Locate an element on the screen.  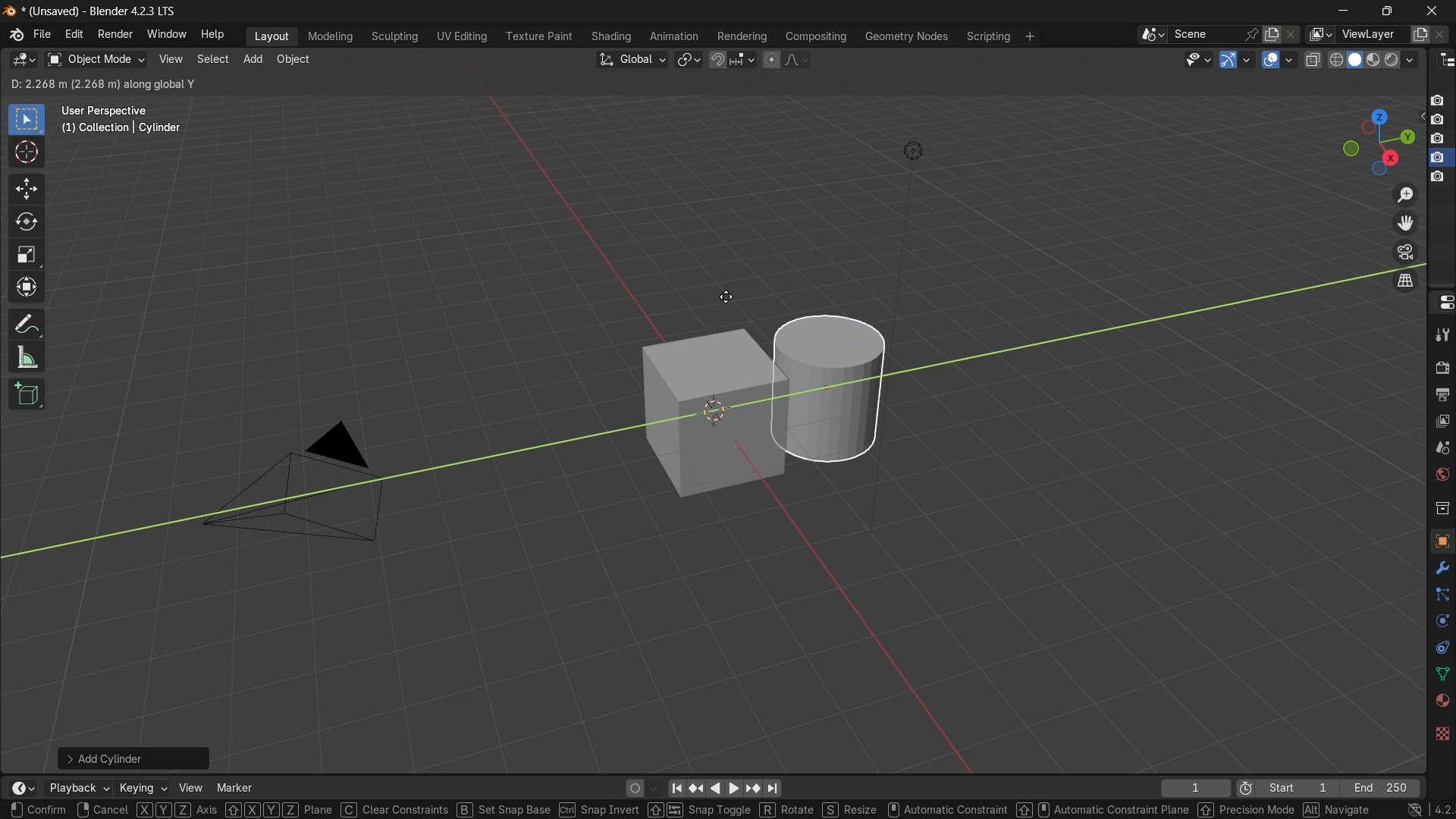
edit menu is located at coordinates (74, 35).